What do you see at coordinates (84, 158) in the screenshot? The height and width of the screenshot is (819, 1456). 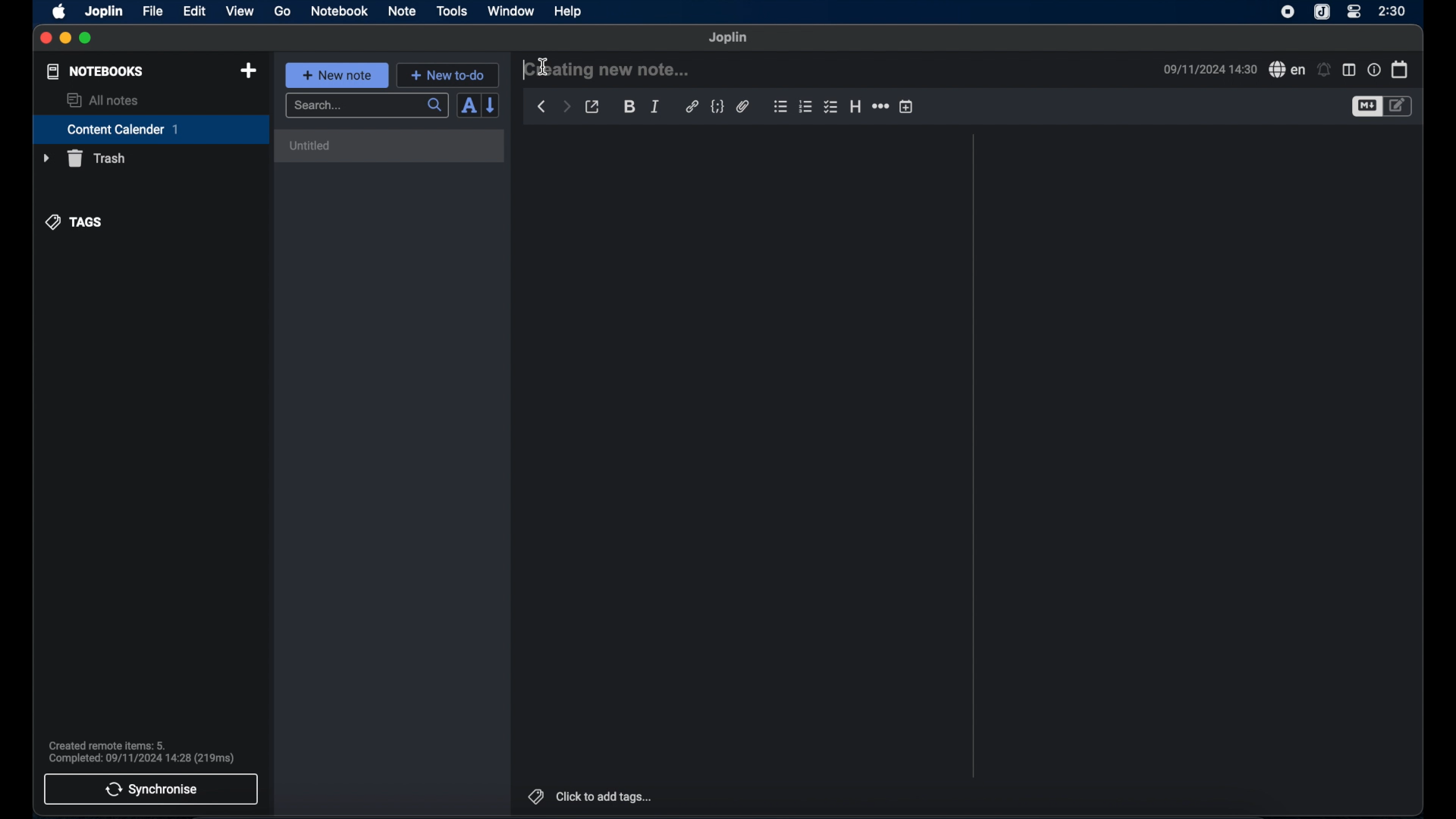 I see `trash` at bounding box center [84, 158].